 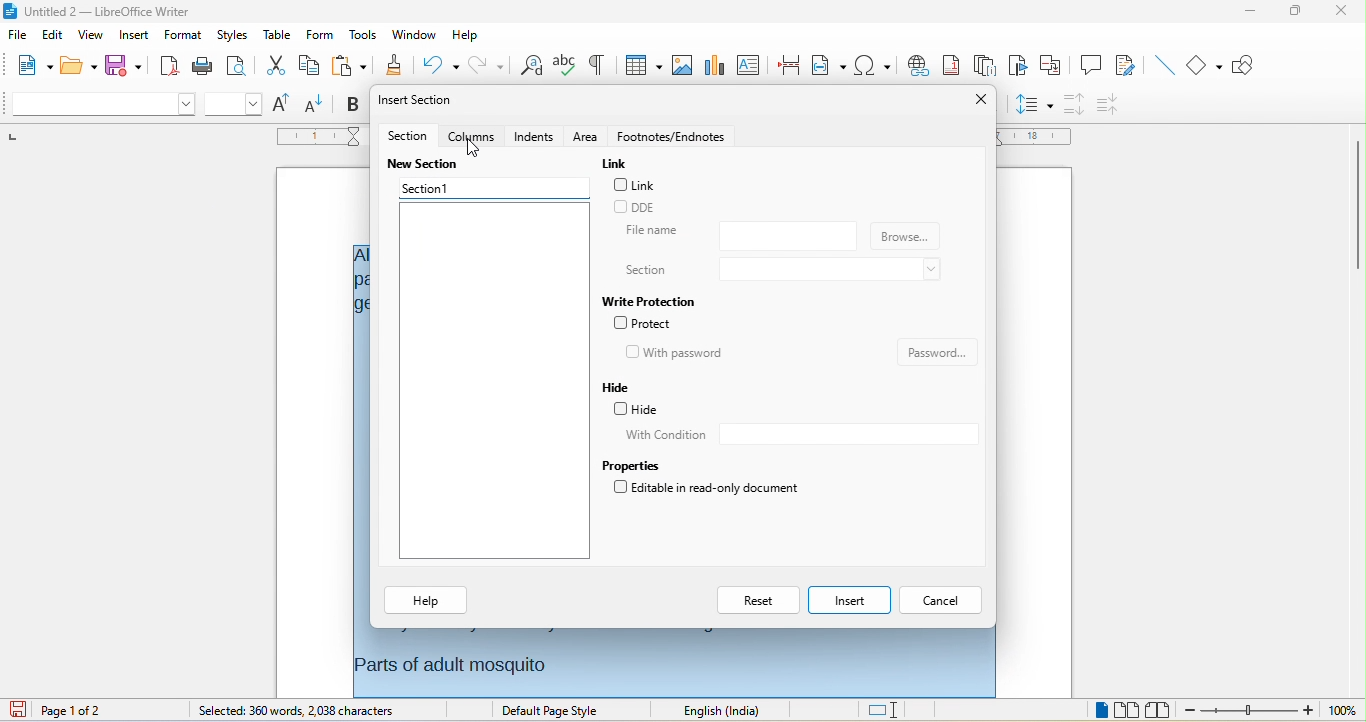 I want to click on bookmark, so click(x=1017, y=68).